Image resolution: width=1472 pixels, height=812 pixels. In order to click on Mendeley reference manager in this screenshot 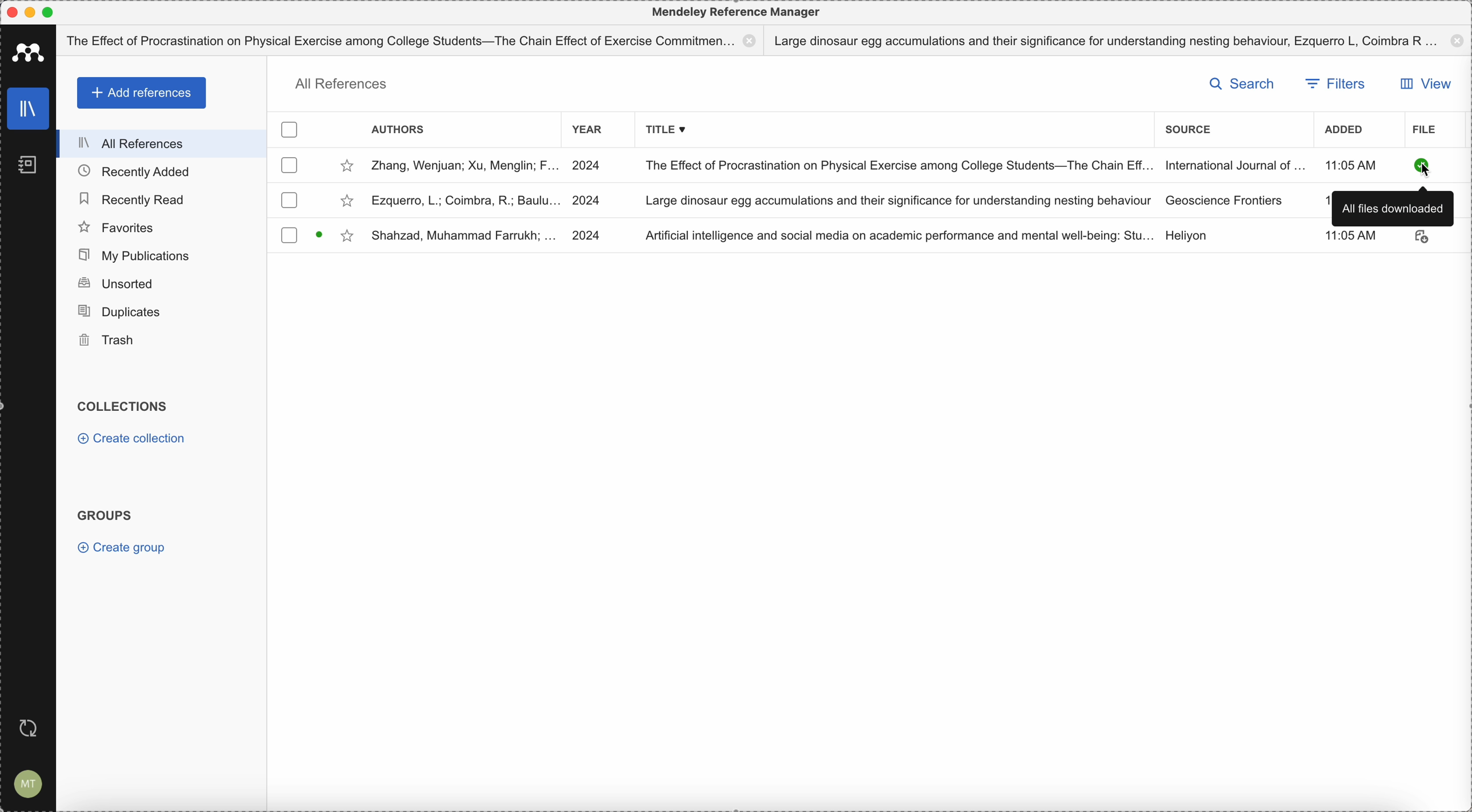, I will do `click(736, 12)`.